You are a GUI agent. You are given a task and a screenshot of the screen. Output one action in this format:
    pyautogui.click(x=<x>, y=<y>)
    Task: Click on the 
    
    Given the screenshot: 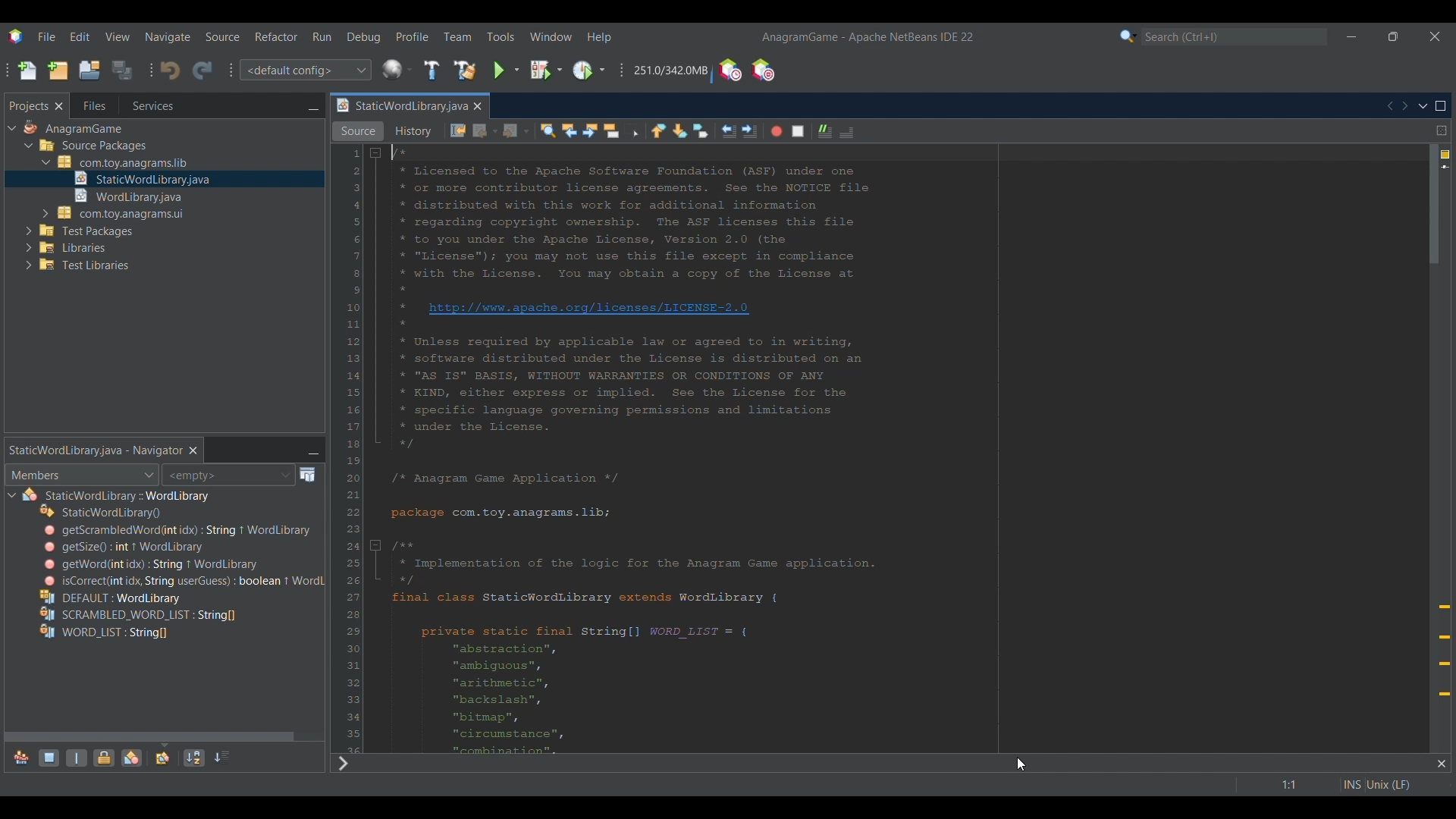 What is the action you would take?
    pyautogui.click(x=135, y=194)
    